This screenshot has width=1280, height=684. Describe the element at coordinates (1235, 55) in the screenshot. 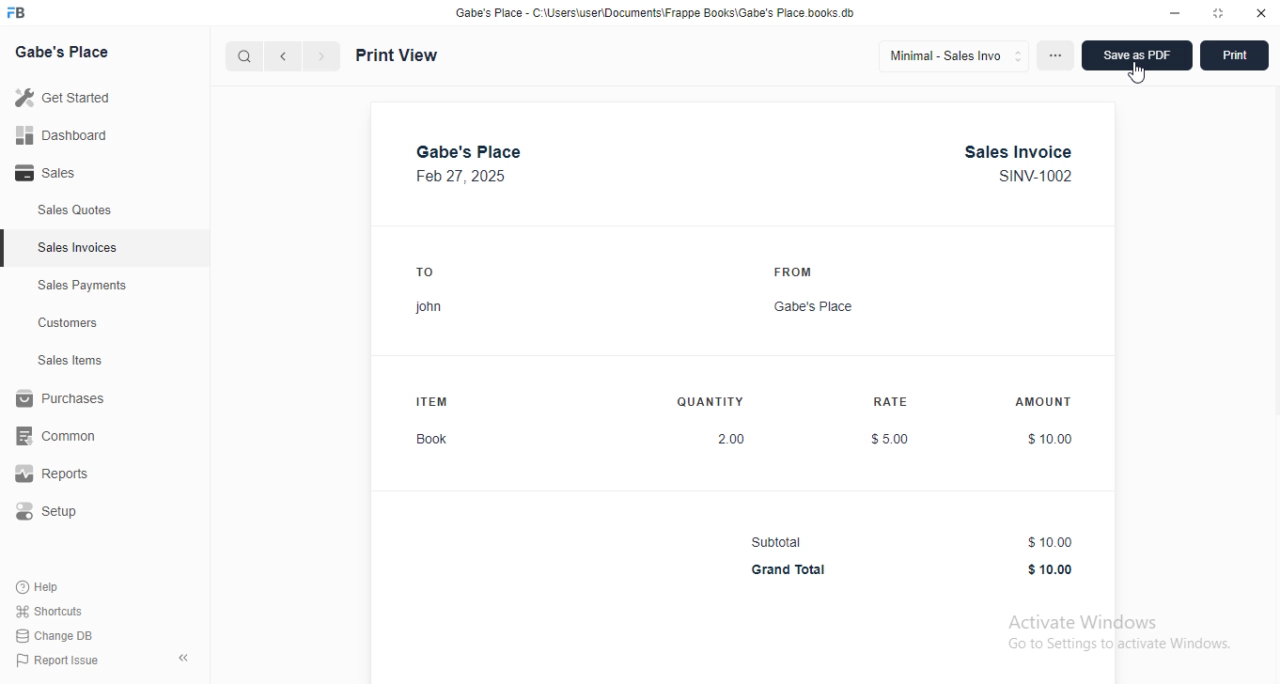

I see `print` at that location.